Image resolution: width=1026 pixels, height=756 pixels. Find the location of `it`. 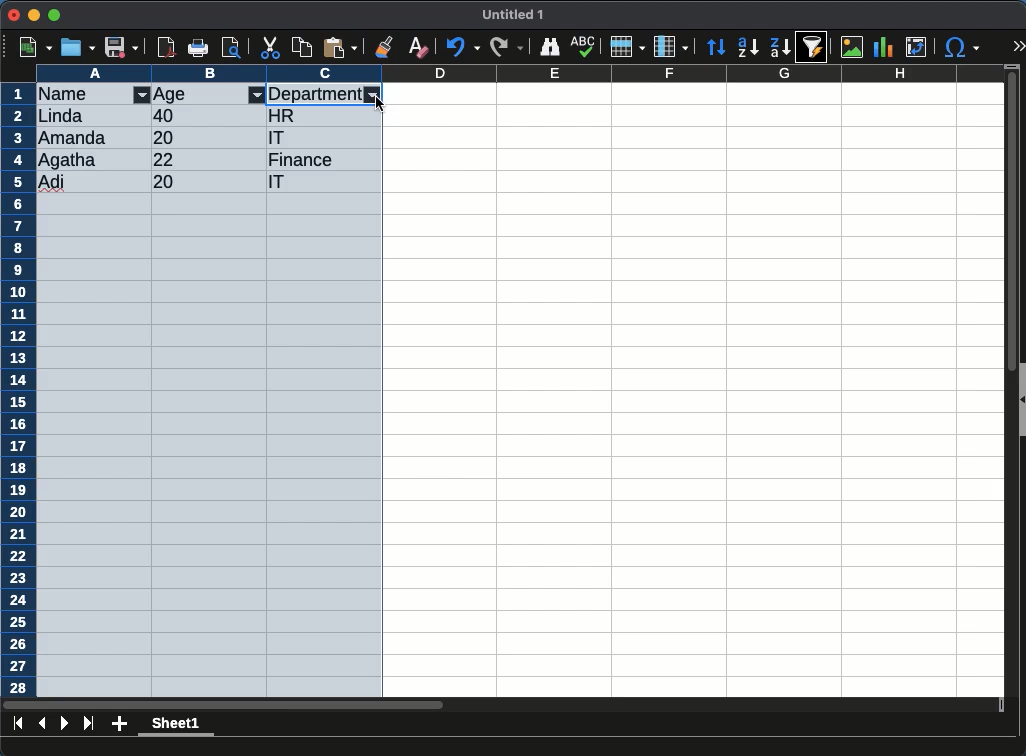

it is located at coordinates (272, 137).